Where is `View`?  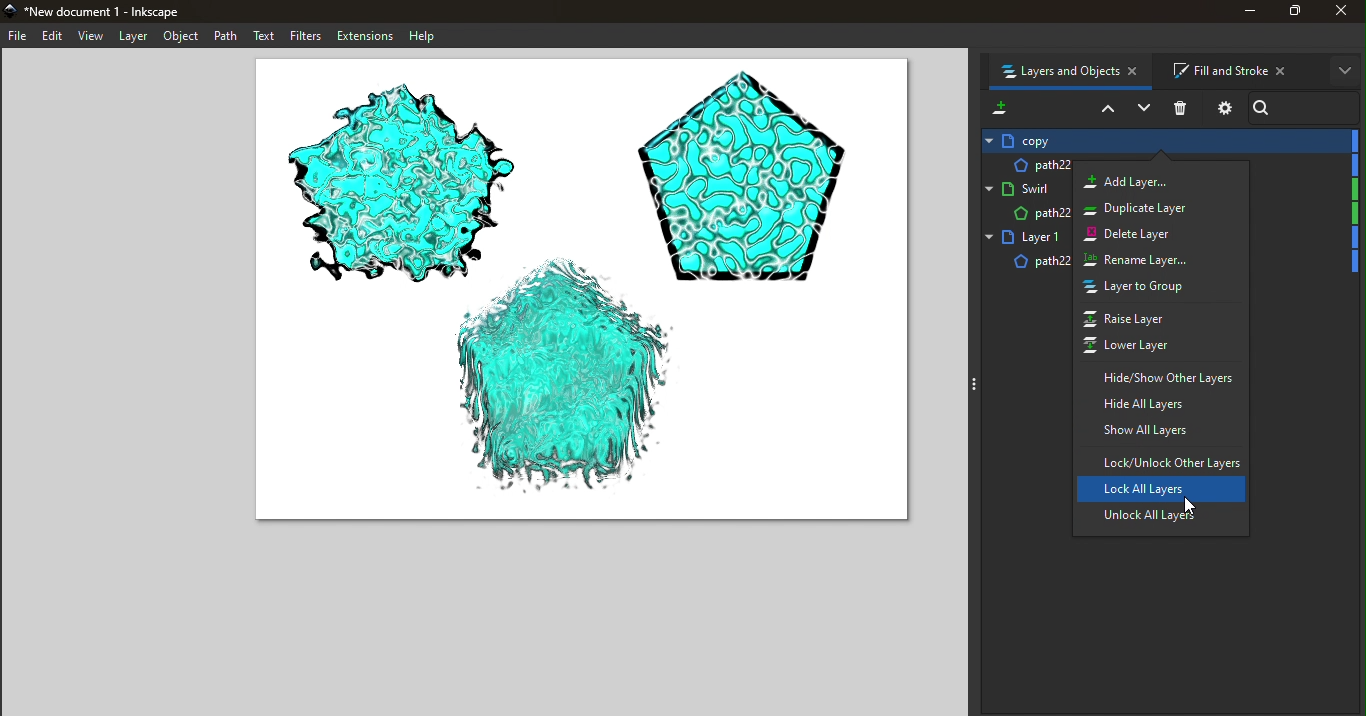
View is located at coordinates (93, 38).